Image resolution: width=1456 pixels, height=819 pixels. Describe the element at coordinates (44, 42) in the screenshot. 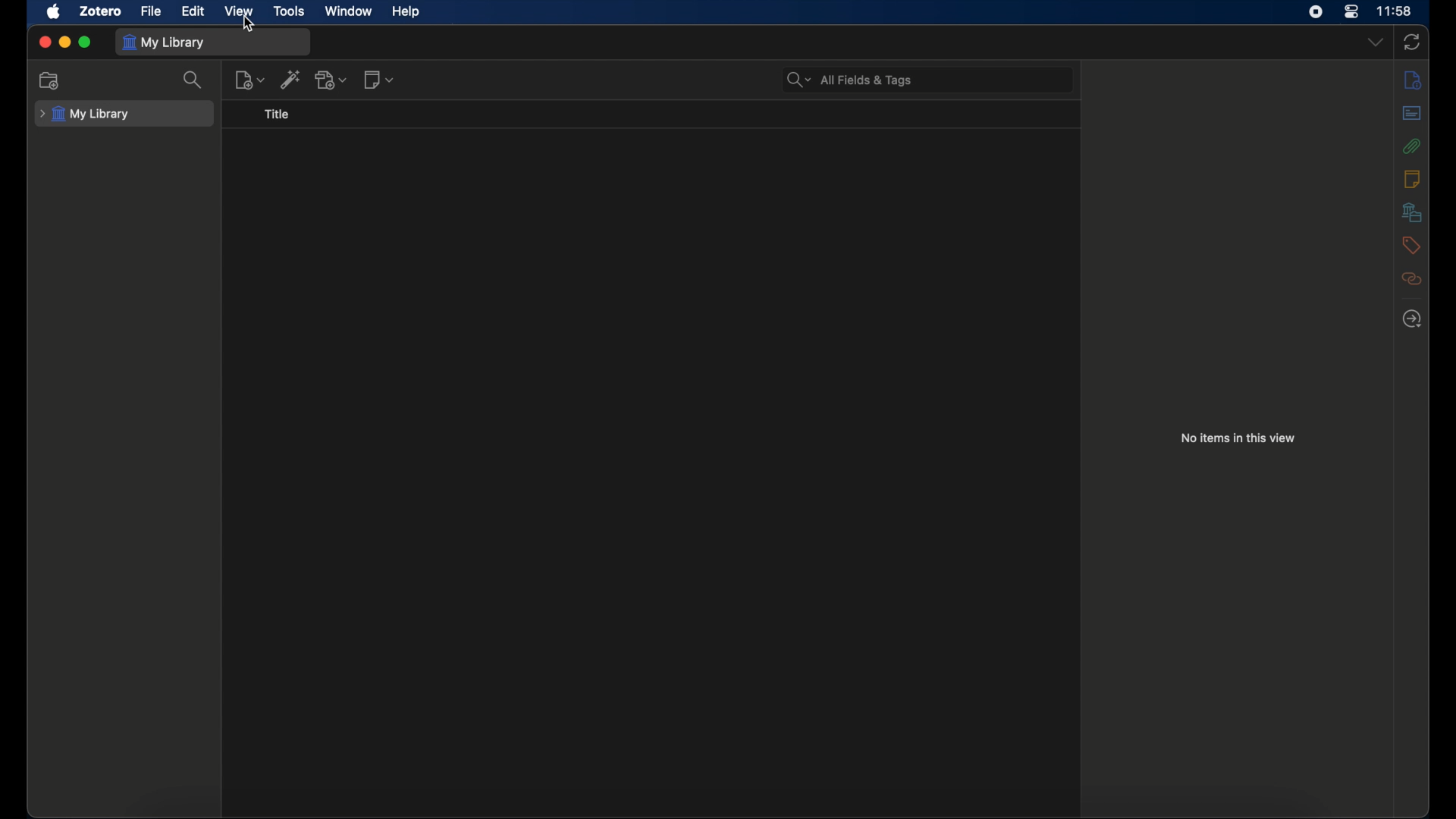

I see `close` at that location.